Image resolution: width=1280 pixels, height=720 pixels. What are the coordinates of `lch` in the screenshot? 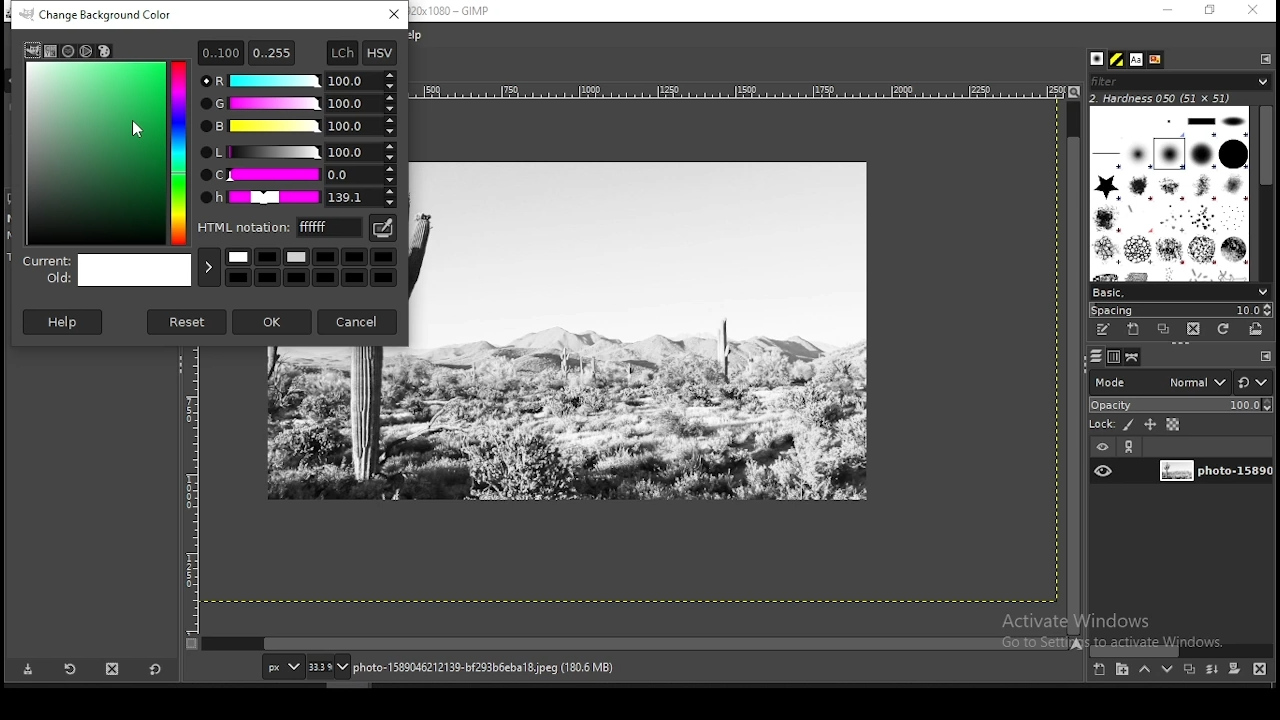 It's located at (341, 53).